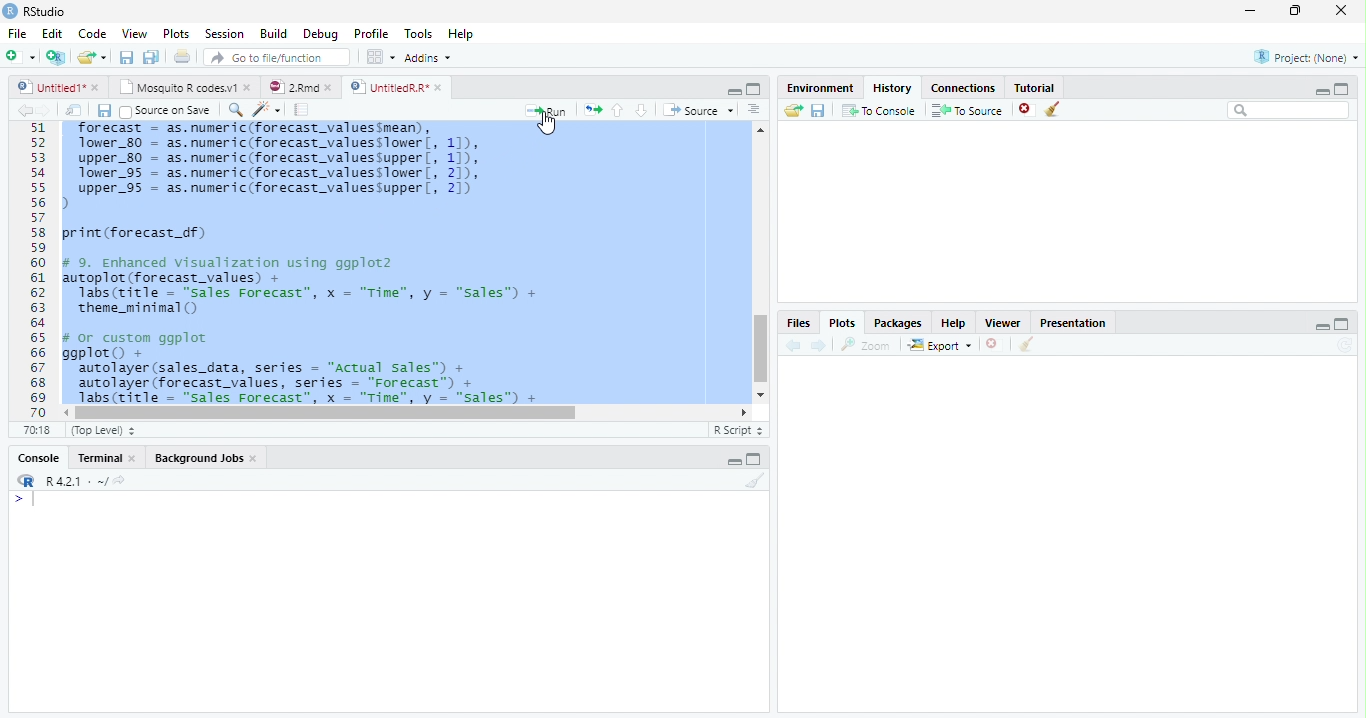 The width and height of the screenshot is (1366, 718). I want to click on History, so click(893, 88).